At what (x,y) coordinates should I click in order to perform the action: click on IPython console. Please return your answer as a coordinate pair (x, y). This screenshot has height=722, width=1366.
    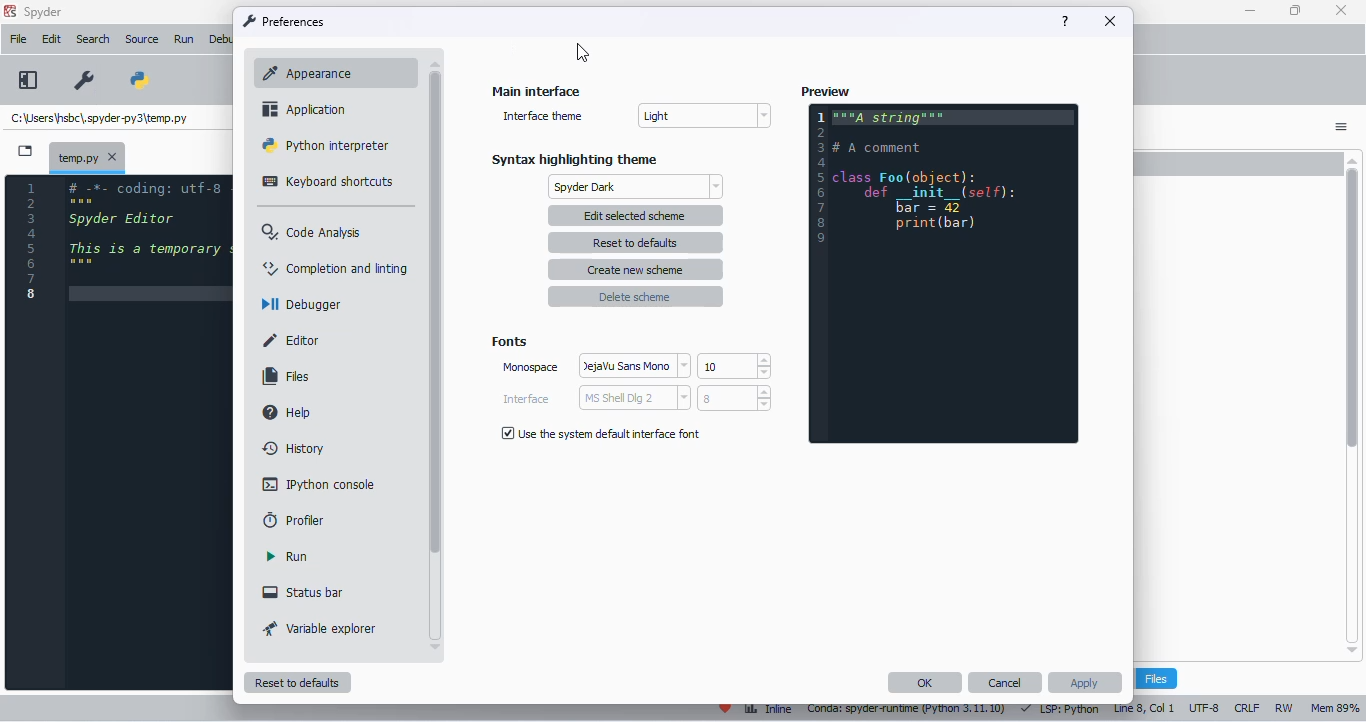
    Looking at the image, I should click on (318, 484).